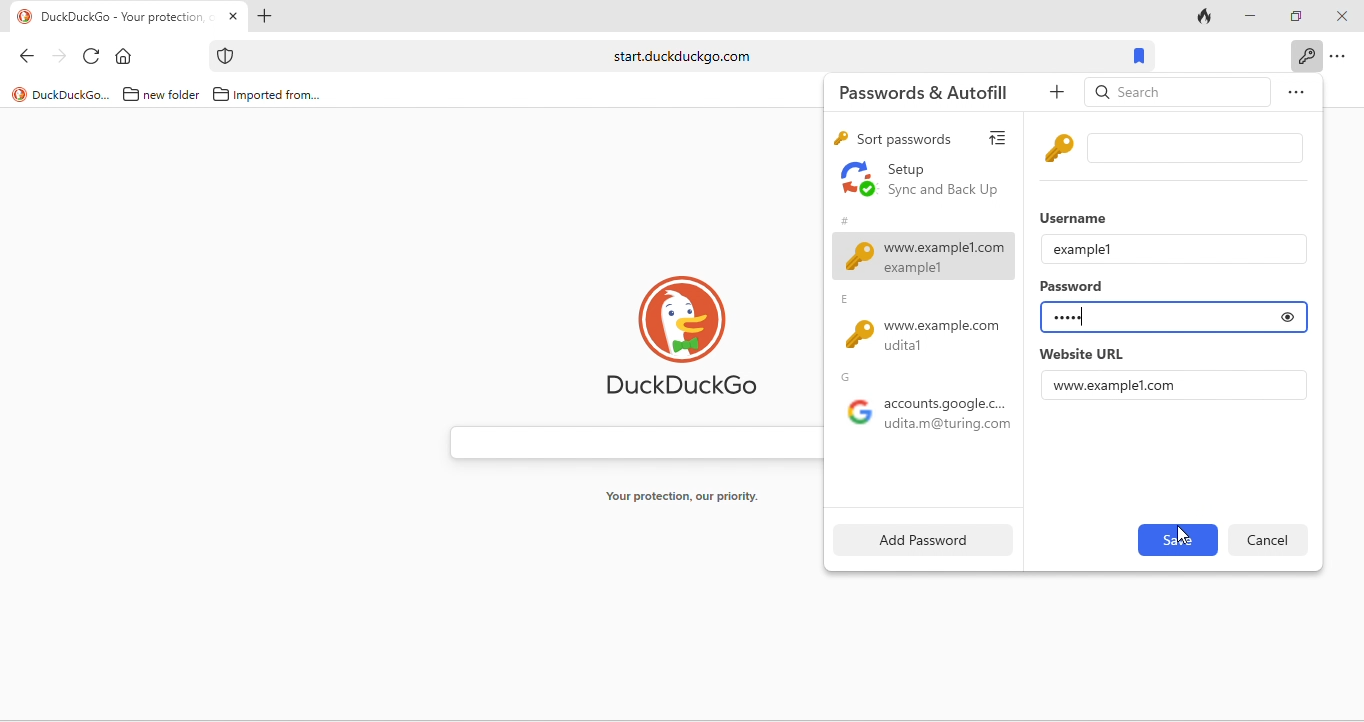  What do you see at coordinates (72, 96) in the screenshot?
I see `duckduckgo...` at bounding box center [72, 96].